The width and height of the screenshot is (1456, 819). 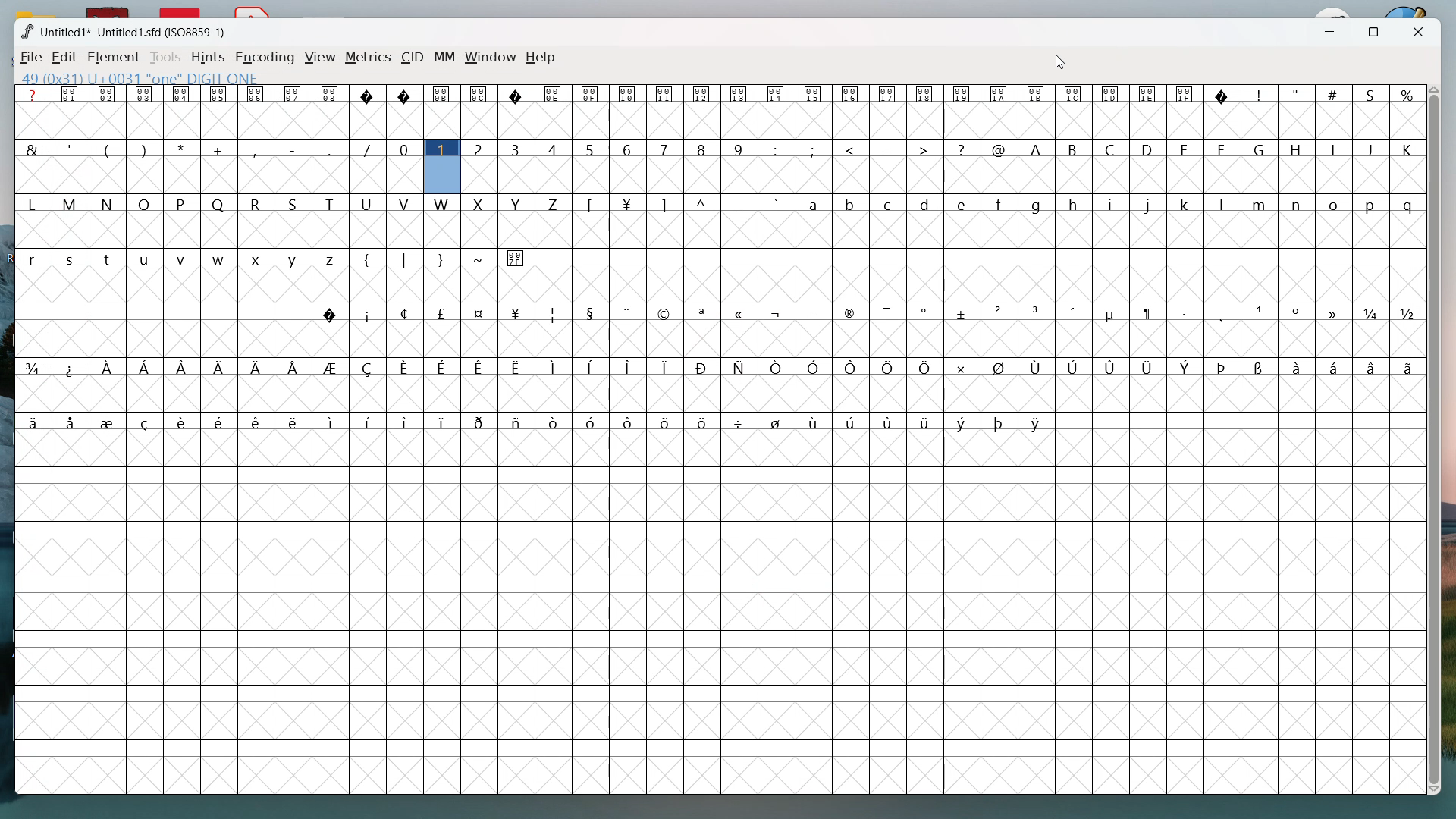 I want to click on +, so click(x=220, y=149).